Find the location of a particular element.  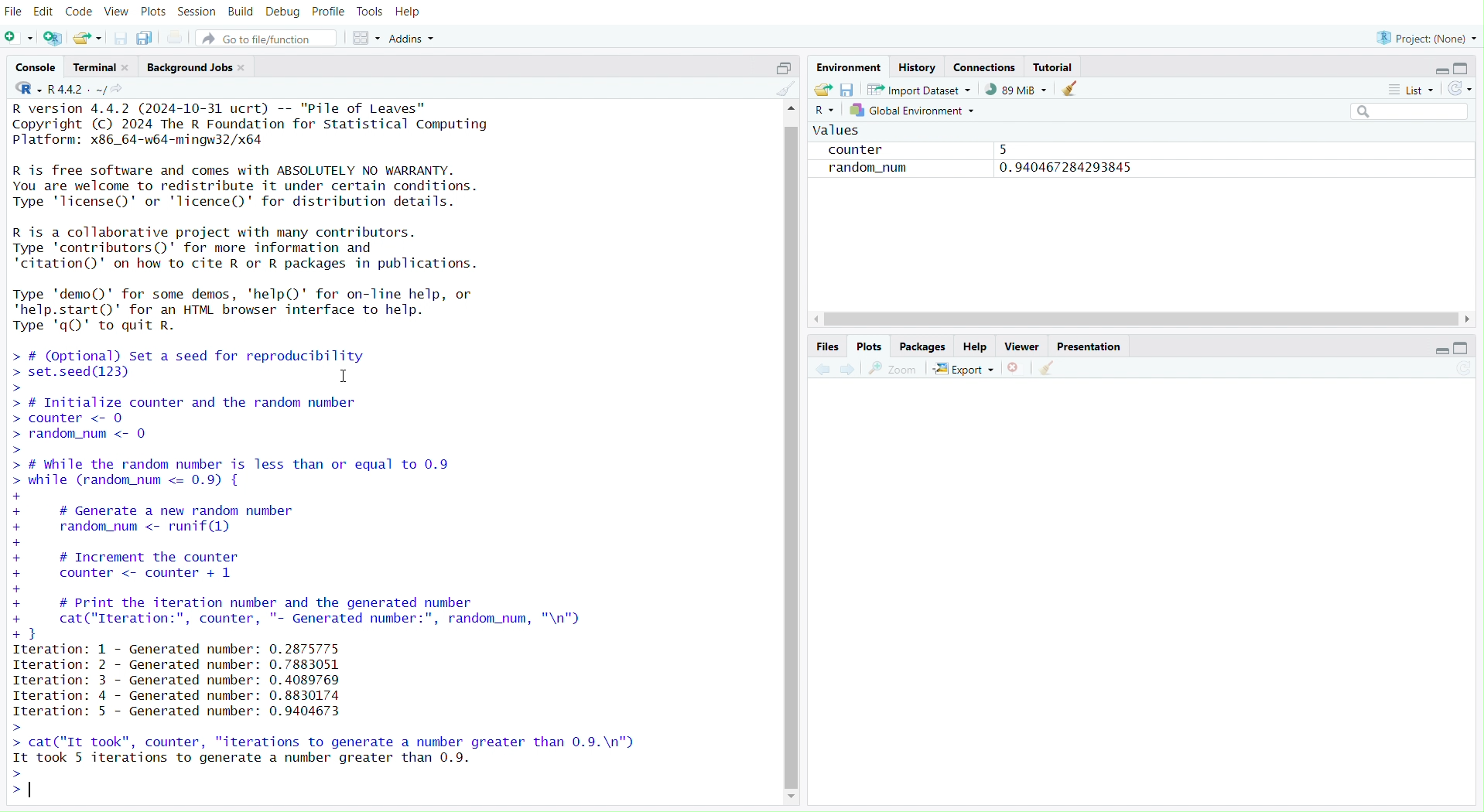

Minimize is located at coordinates (1440, 70).